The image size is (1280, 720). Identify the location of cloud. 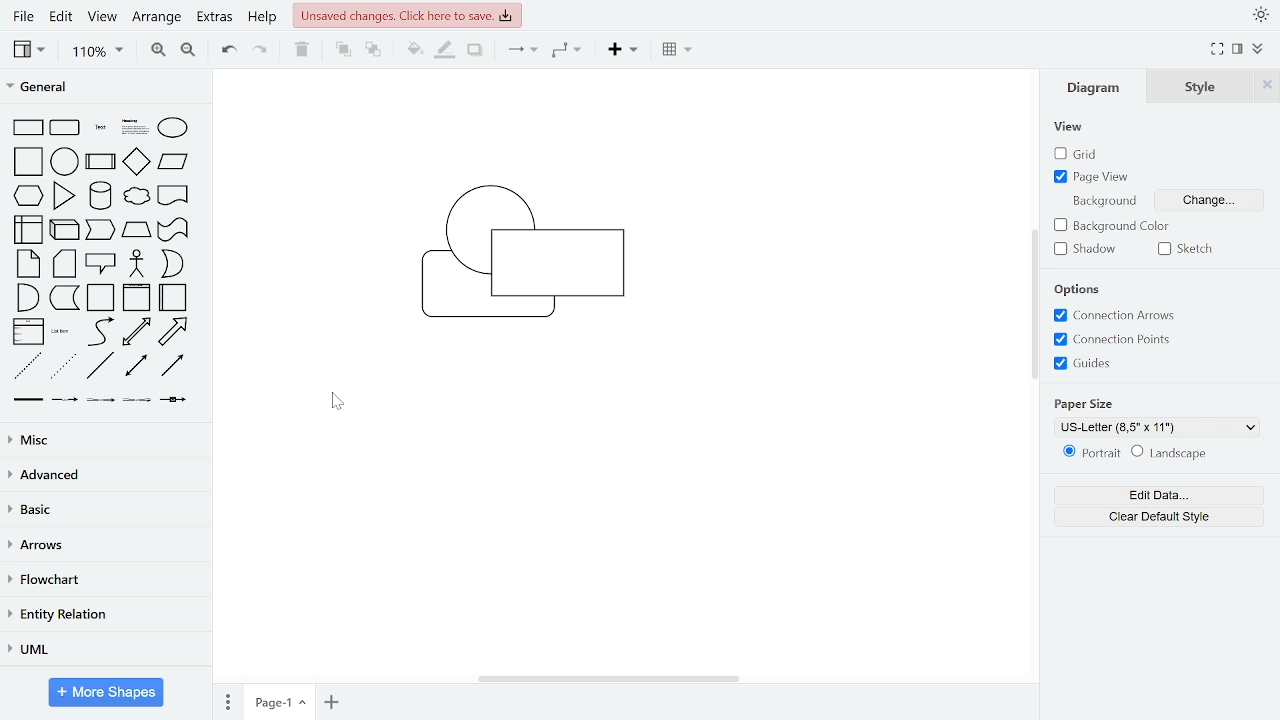
(138, 197).